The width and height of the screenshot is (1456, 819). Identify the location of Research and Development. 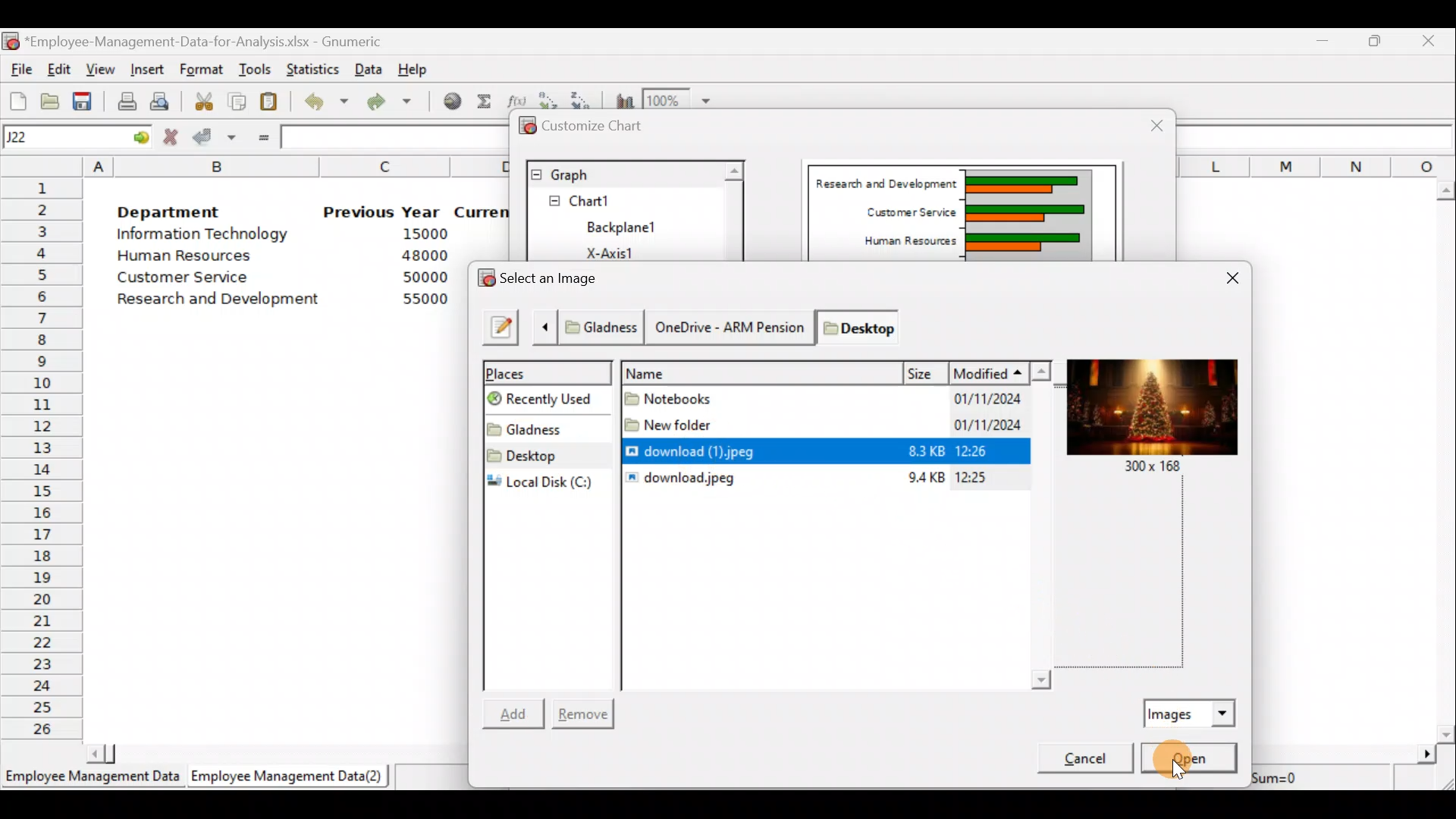
(883, 180).